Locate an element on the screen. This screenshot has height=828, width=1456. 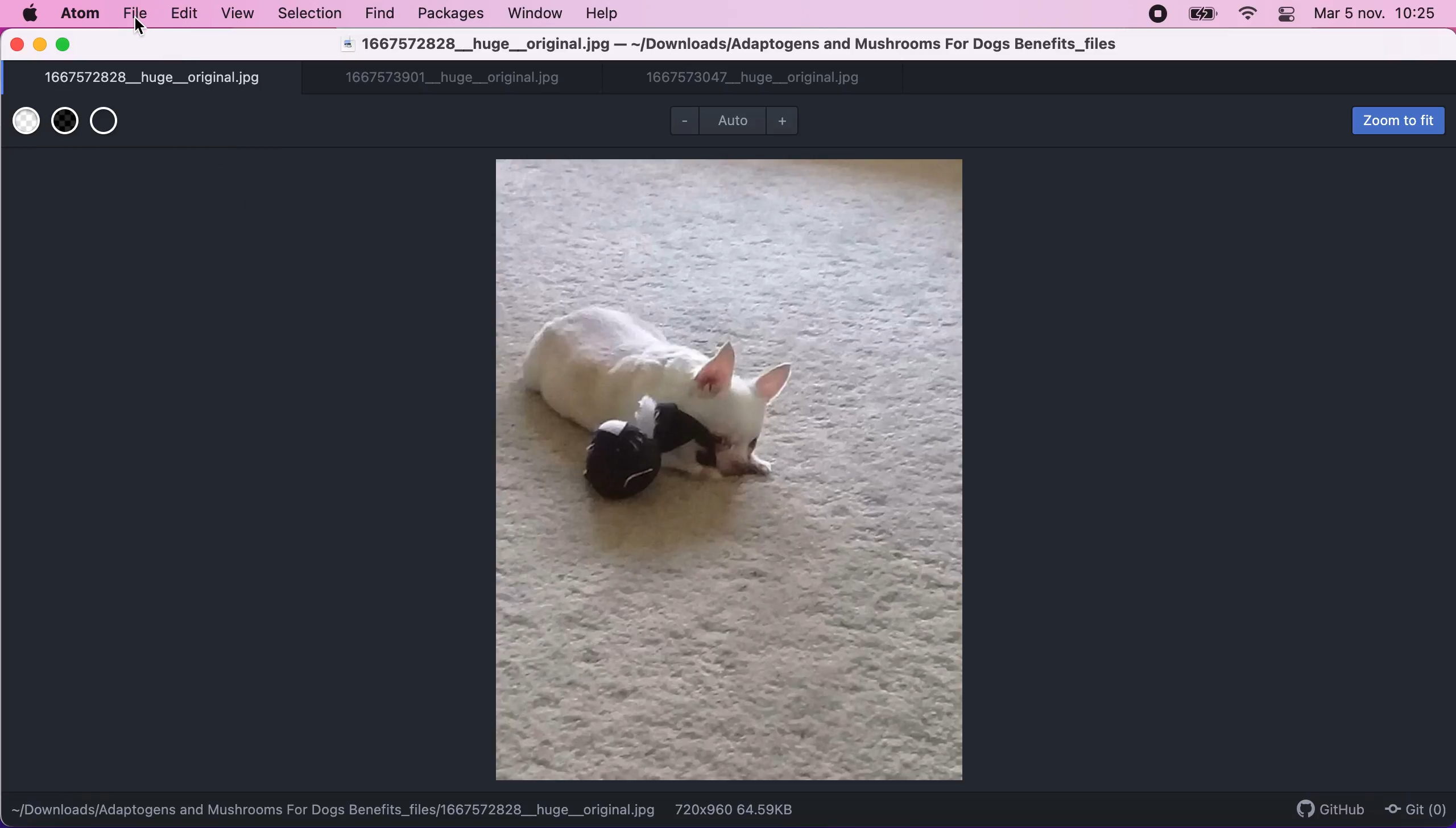
find is located at coordinates (383, 14).